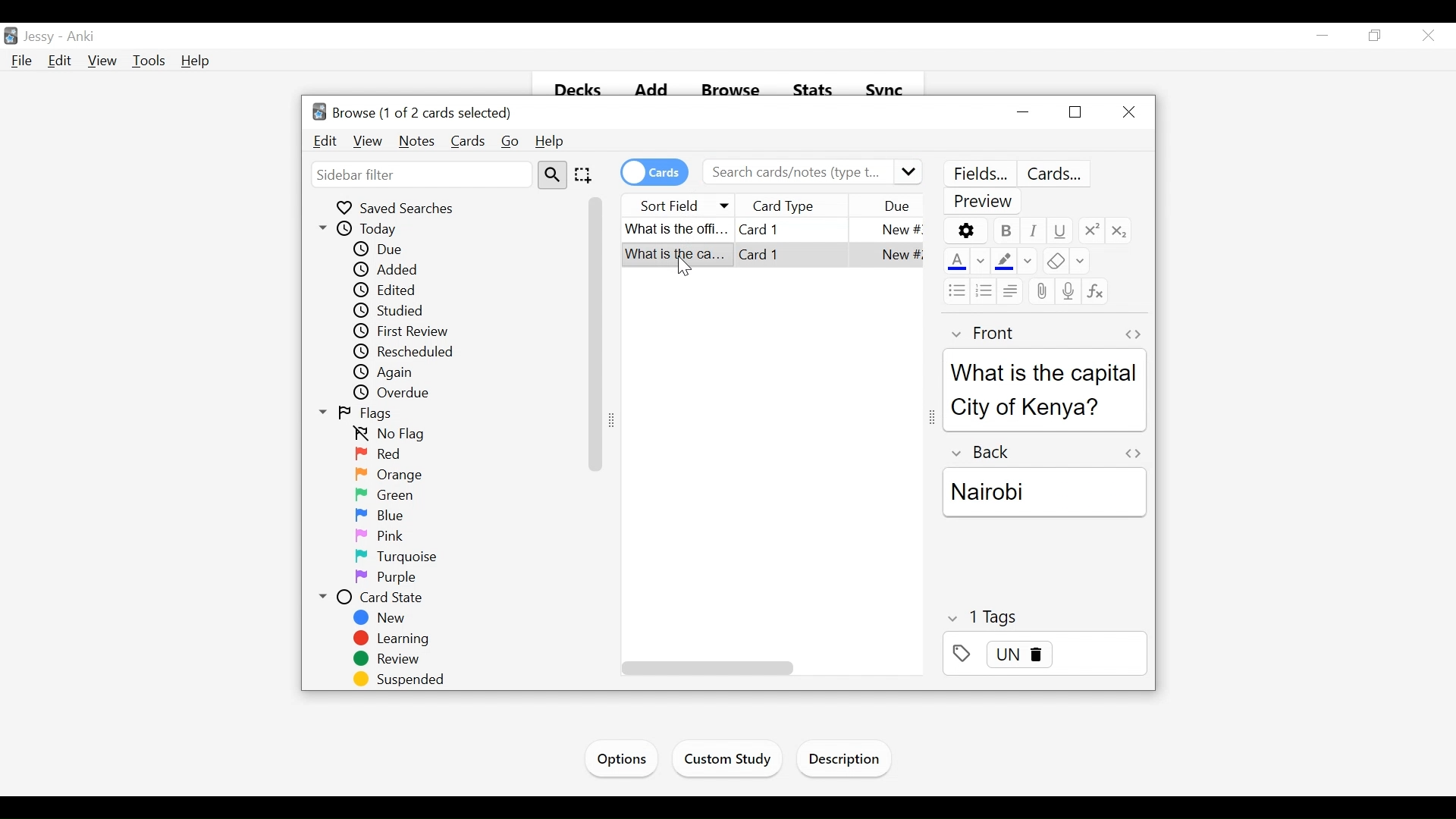  I want to click on Bak Field, so click(1043, 485).